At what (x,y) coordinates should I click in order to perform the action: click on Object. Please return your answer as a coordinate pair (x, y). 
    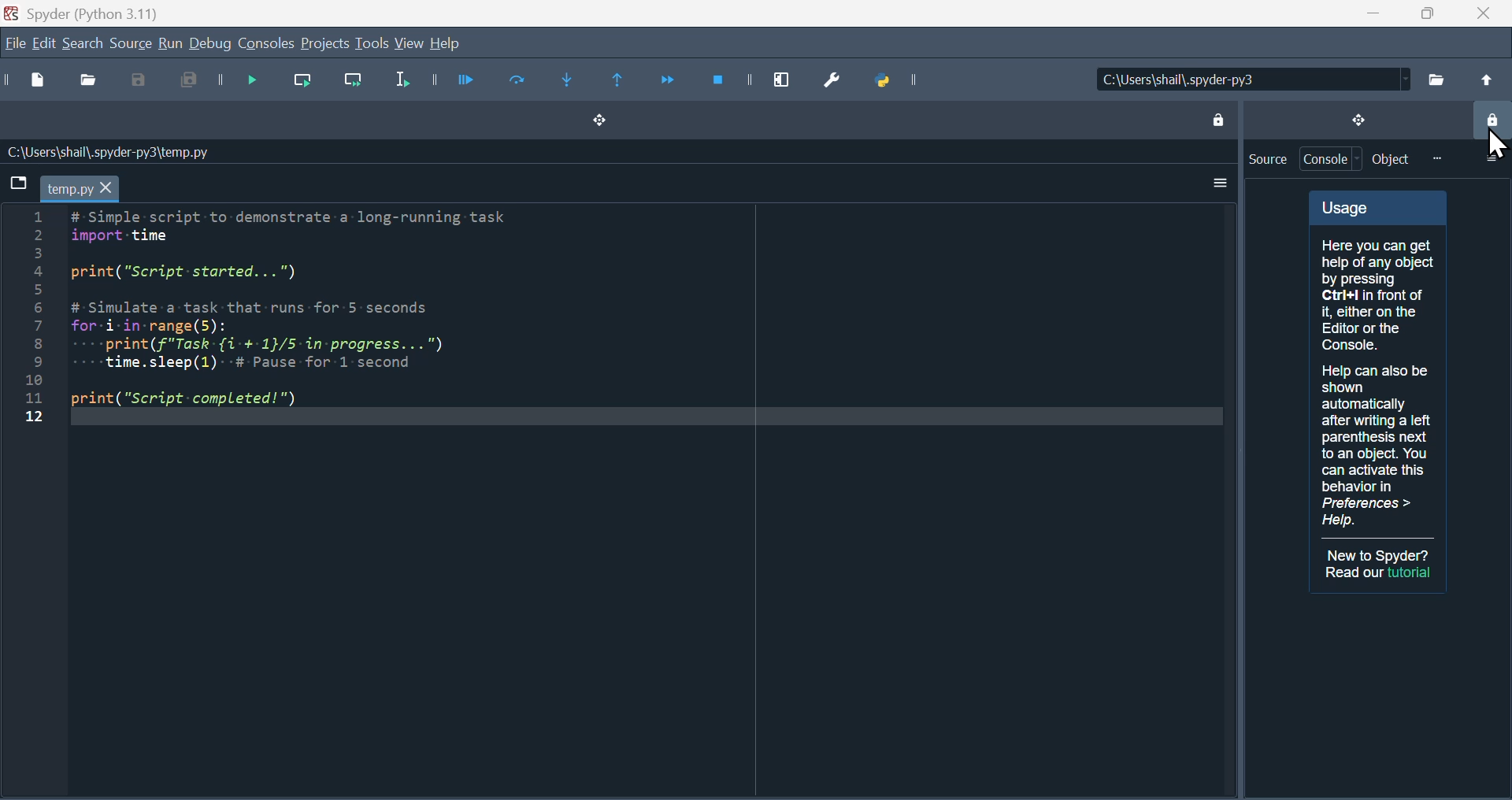
    Looking at the image, I should click on (1392, 159).